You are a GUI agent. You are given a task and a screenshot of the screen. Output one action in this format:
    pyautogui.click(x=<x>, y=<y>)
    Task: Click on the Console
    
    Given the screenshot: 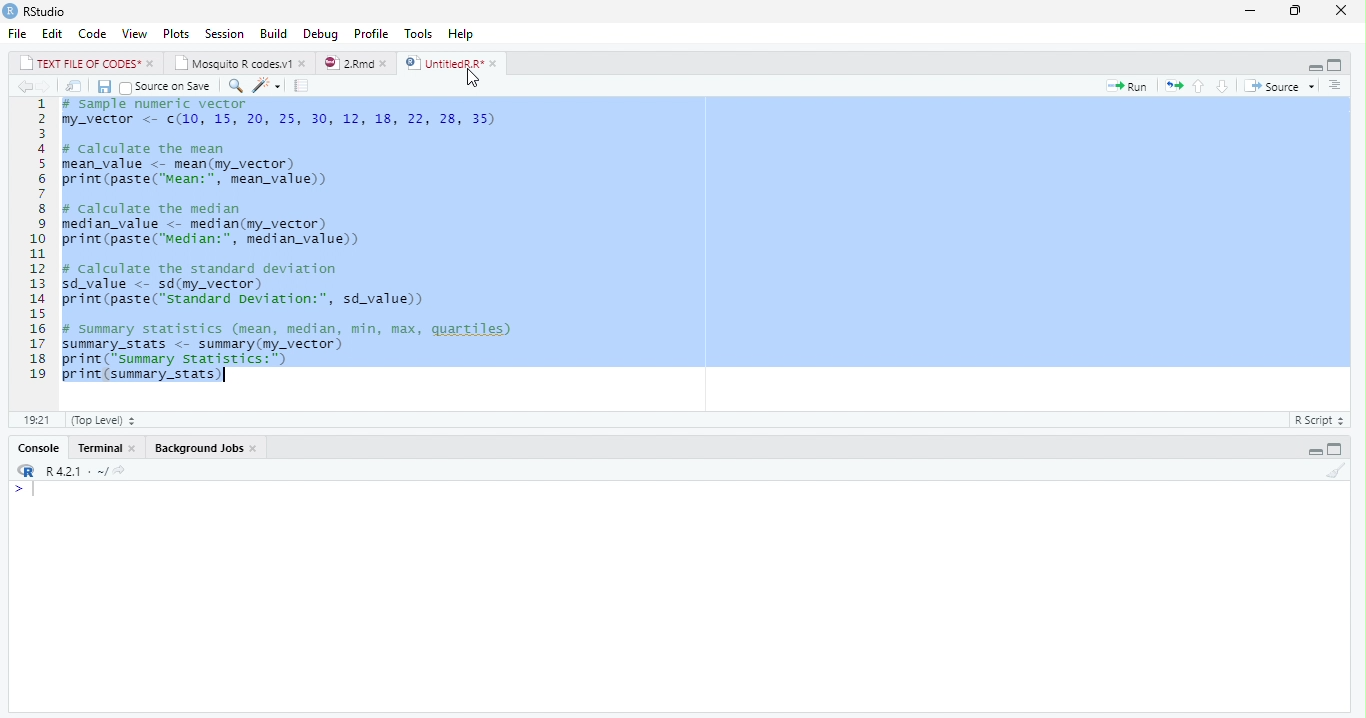 What is the action you would take?
    pyautogui.click(x=41, y=449)
    